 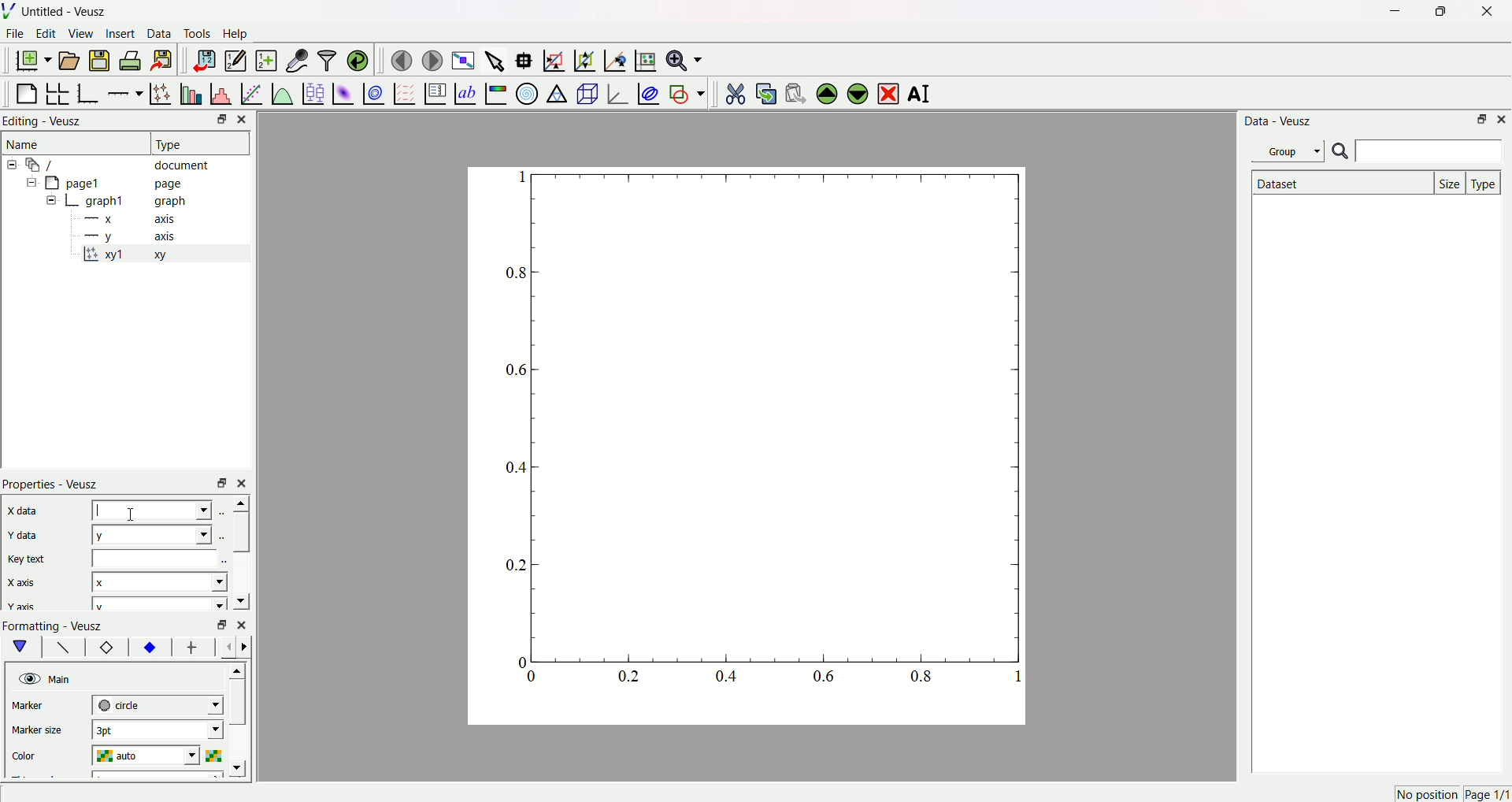 What do you see at coordinates (343, 92) in the screenshot?
I see `plot 2 d datasets as image` at bounding box center [343, 92].